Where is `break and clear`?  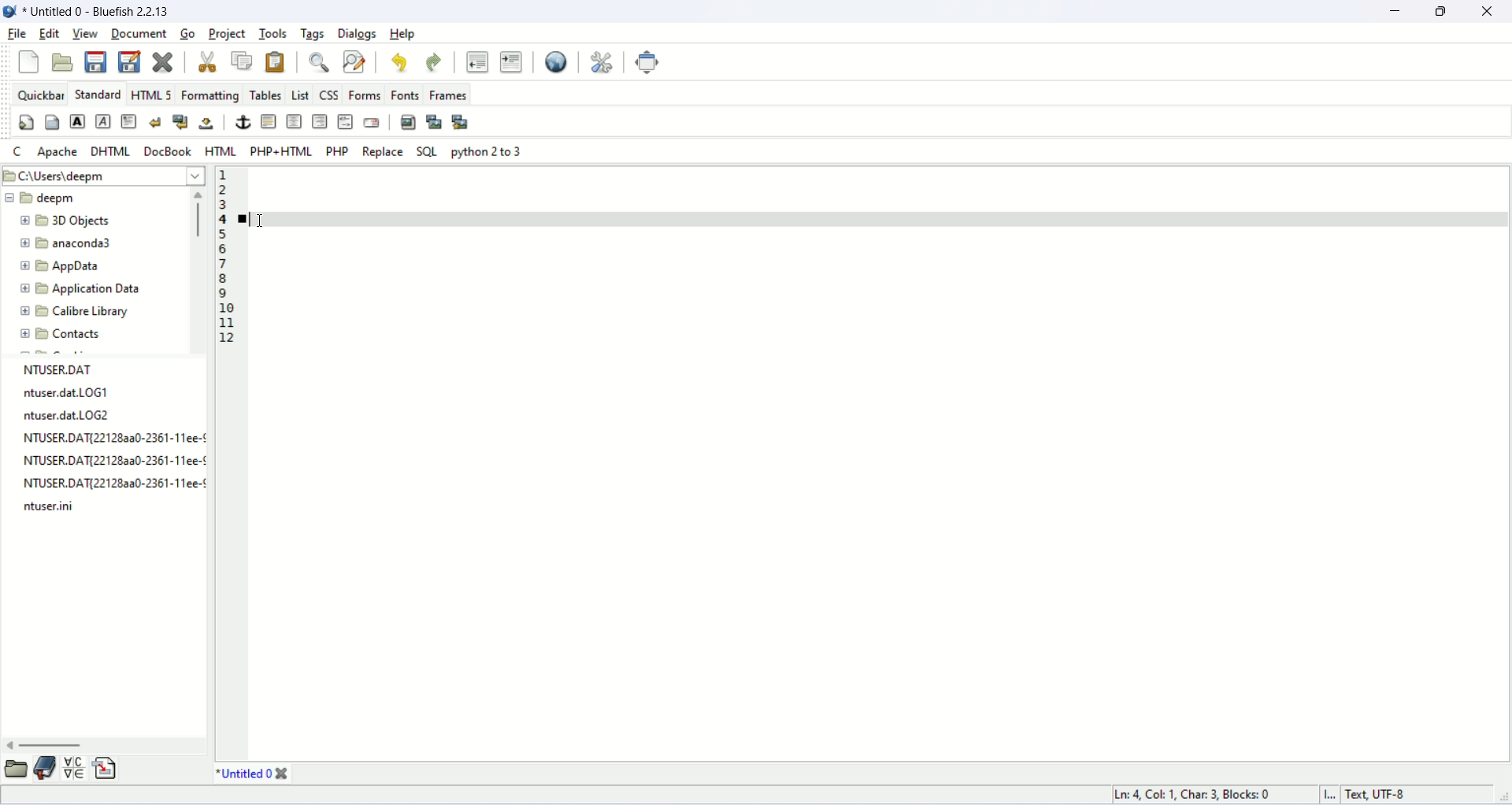
break and clear is located at coordinates (180, 123).